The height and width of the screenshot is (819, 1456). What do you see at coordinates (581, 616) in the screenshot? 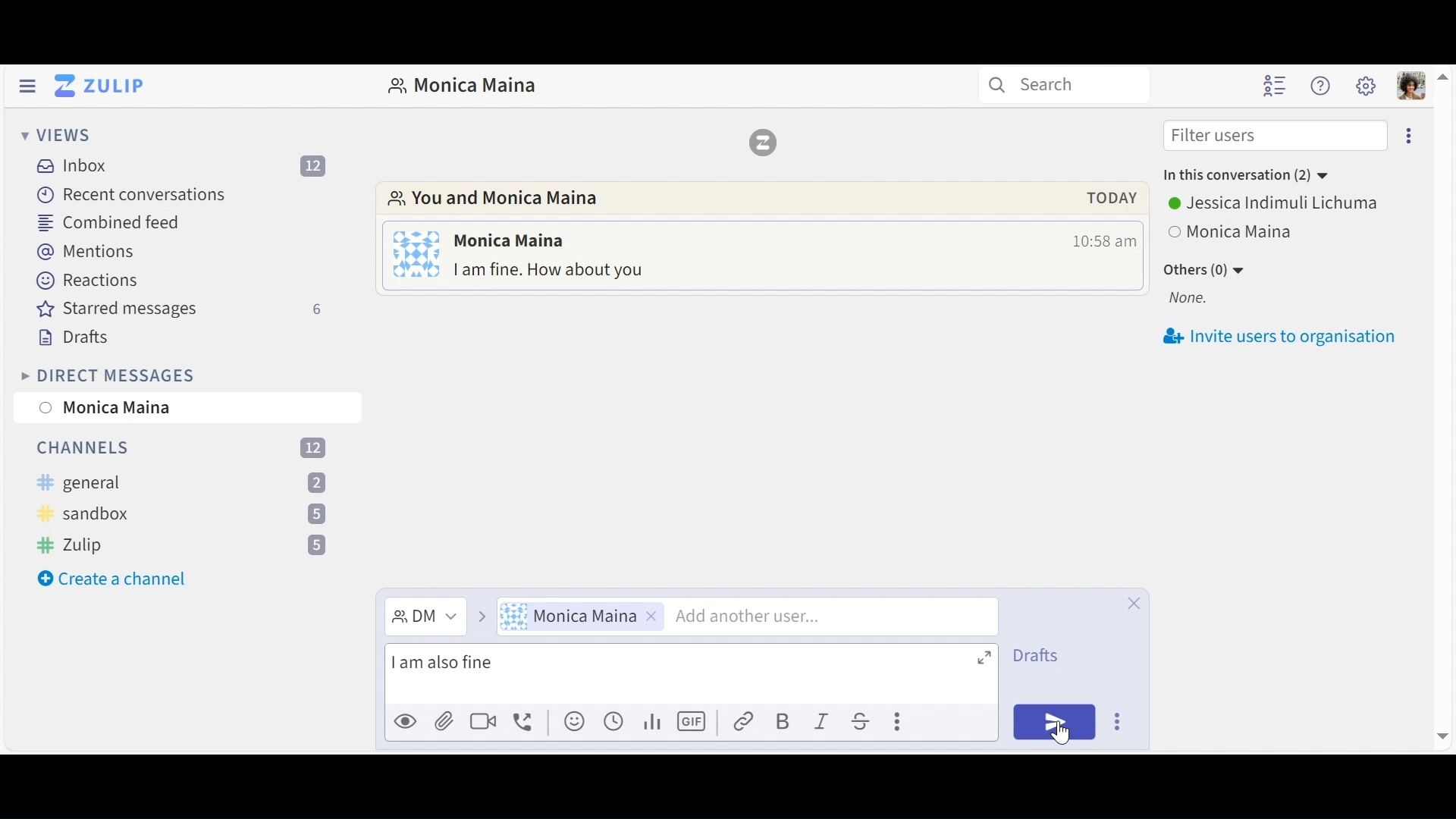
I see `User` at bounding box center [581, 616].